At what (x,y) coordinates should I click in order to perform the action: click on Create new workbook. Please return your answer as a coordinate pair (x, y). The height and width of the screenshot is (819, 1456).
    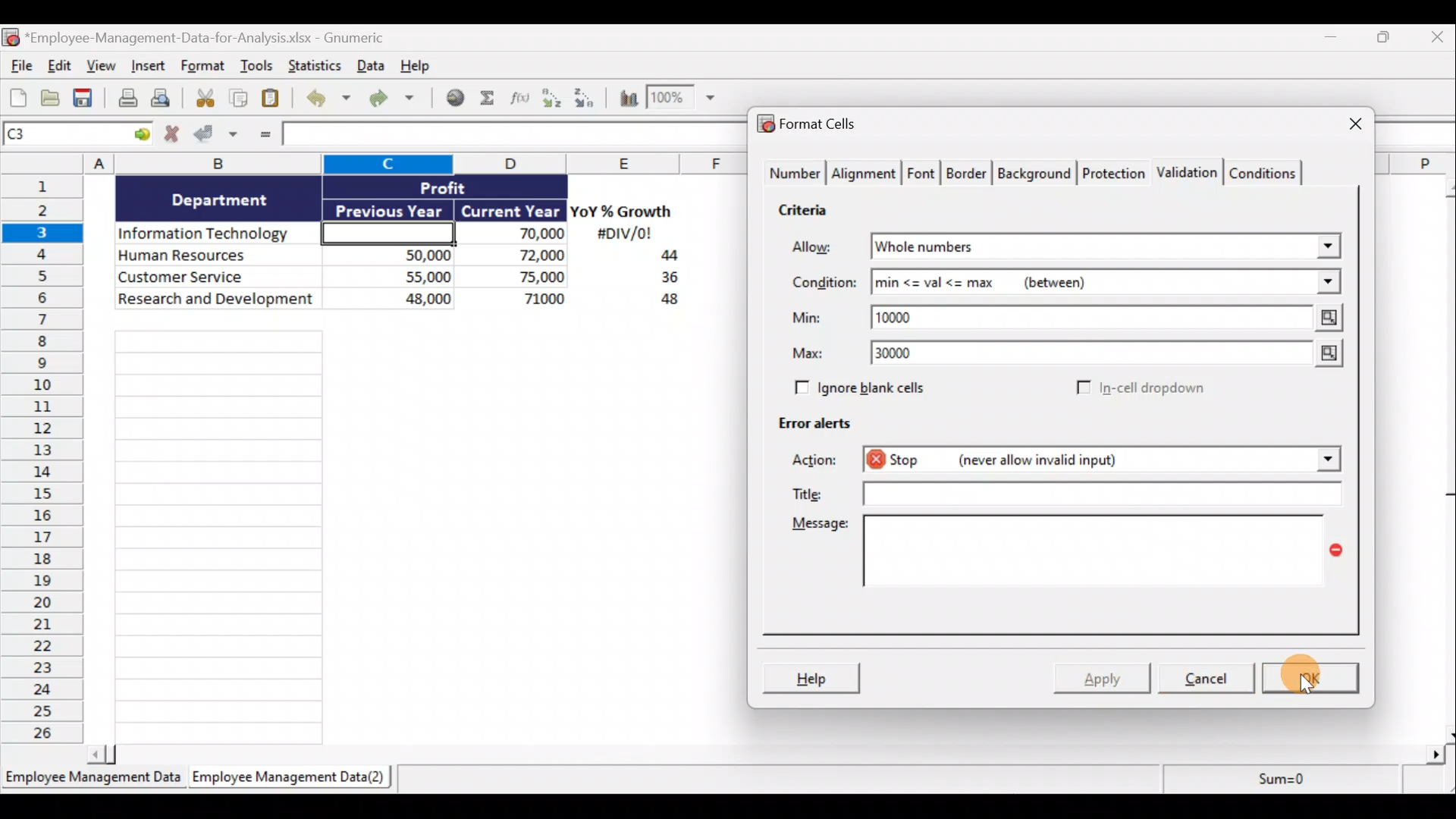
    Looking at the image, I should click on (18, 97).